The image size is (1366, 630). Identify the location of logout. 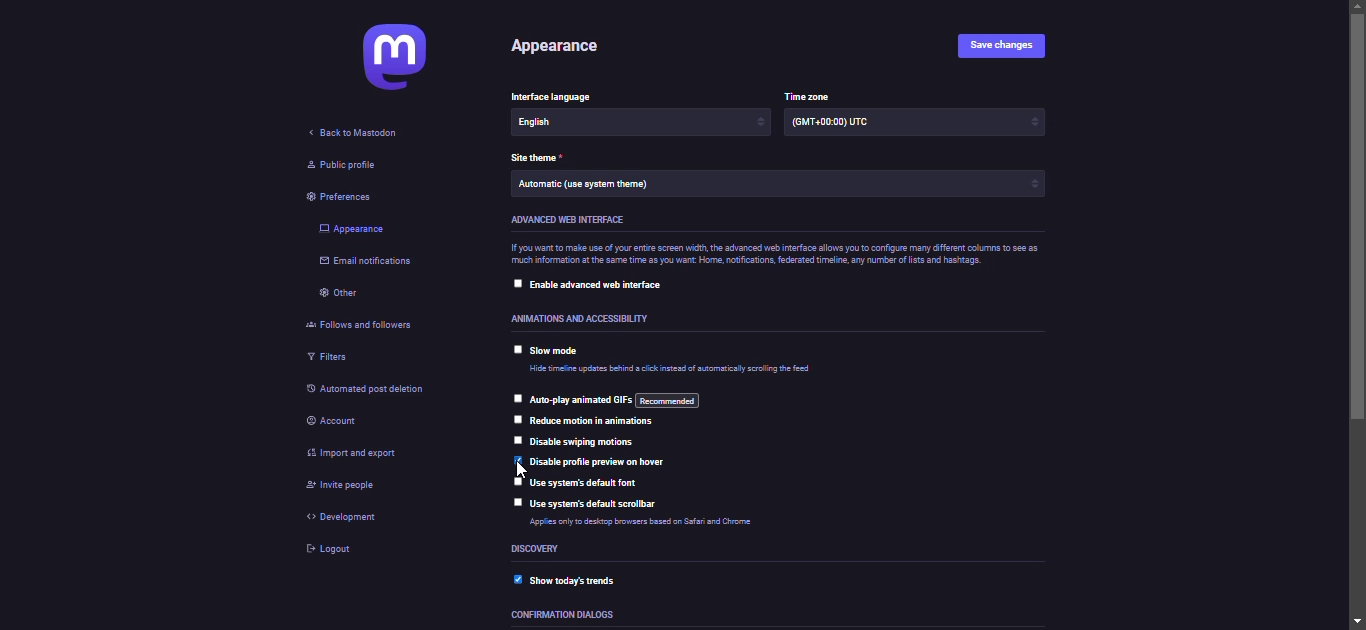
(328, 550).